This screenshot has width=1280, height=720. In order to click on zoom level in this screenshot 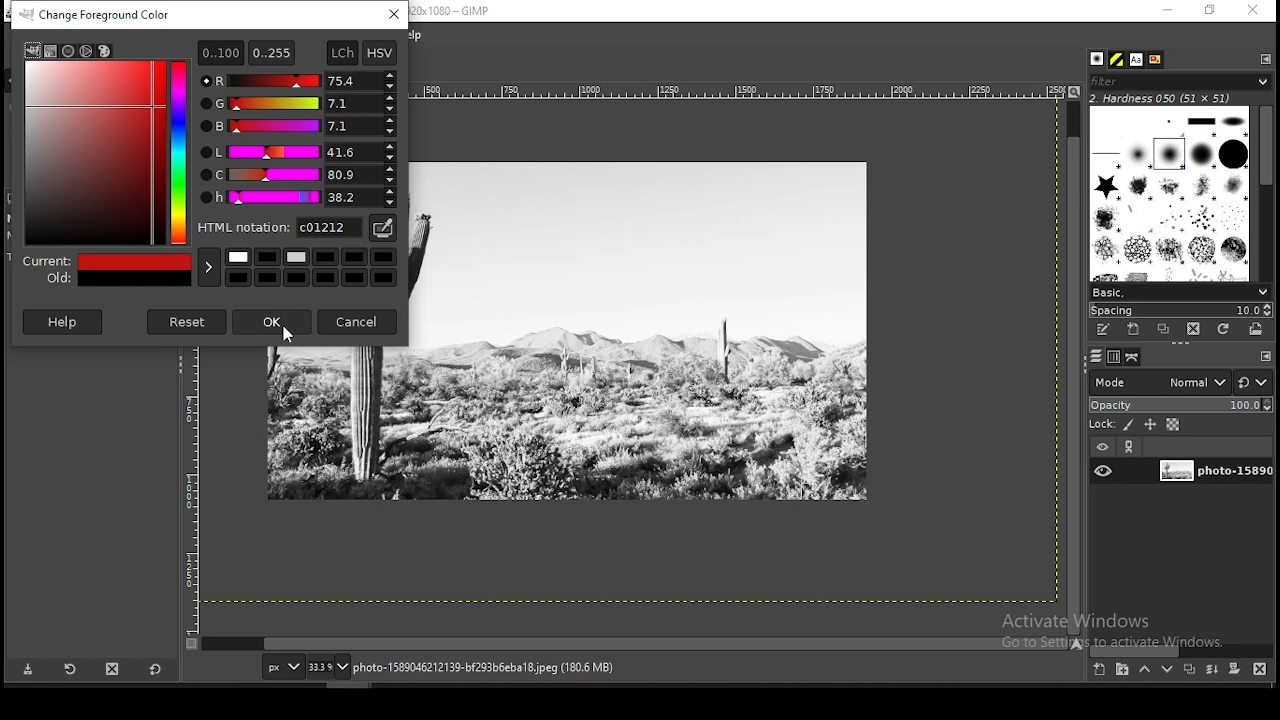, I will do `click(329, 666)`.